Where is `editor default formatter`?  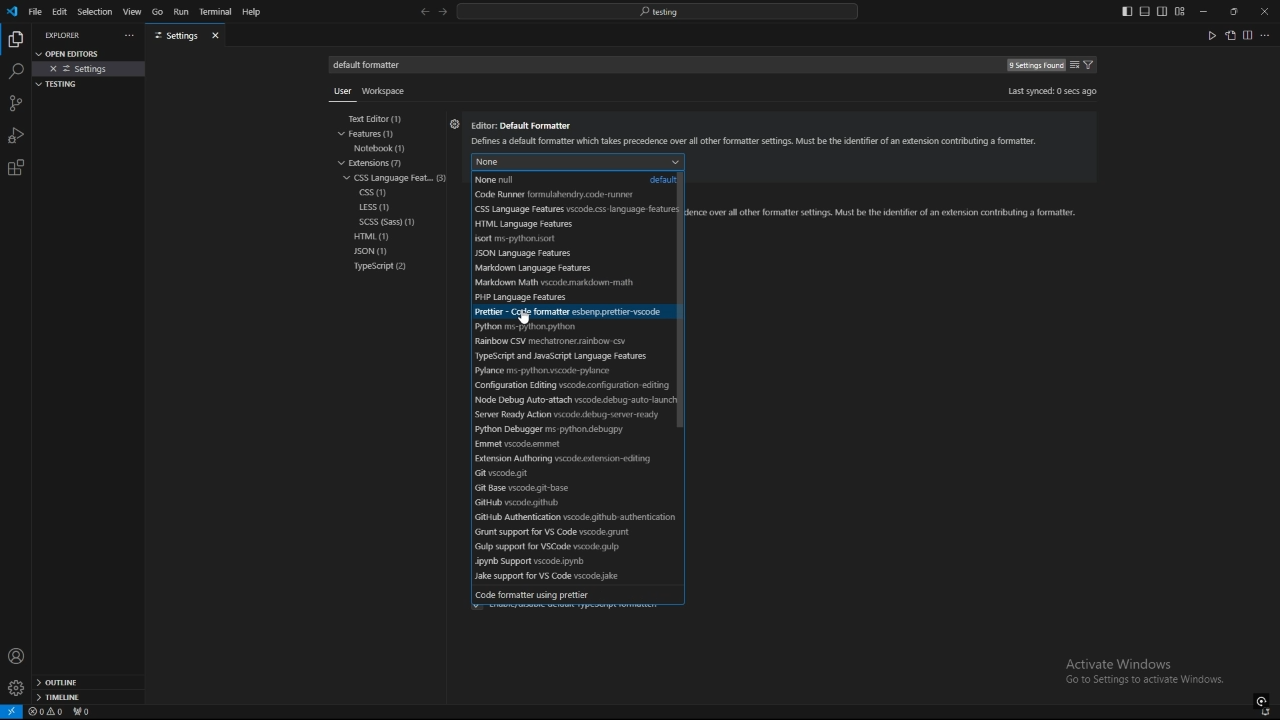
editor default formatter is located at coordinates (757, 135).